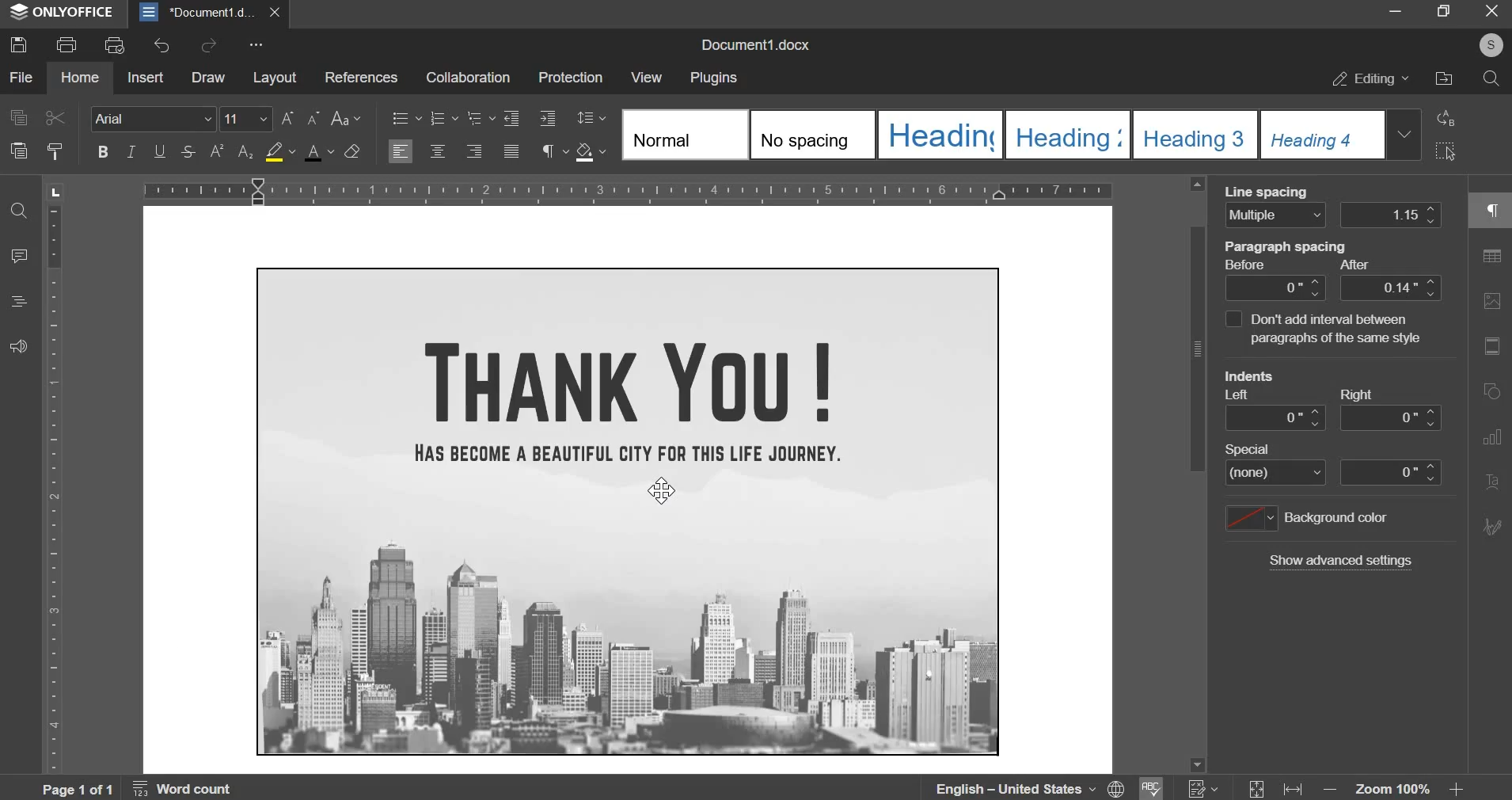 The image size is (1512, 800). Describe the element at coordinates (275, 77) in the screenshot. I see `layout` at that location.